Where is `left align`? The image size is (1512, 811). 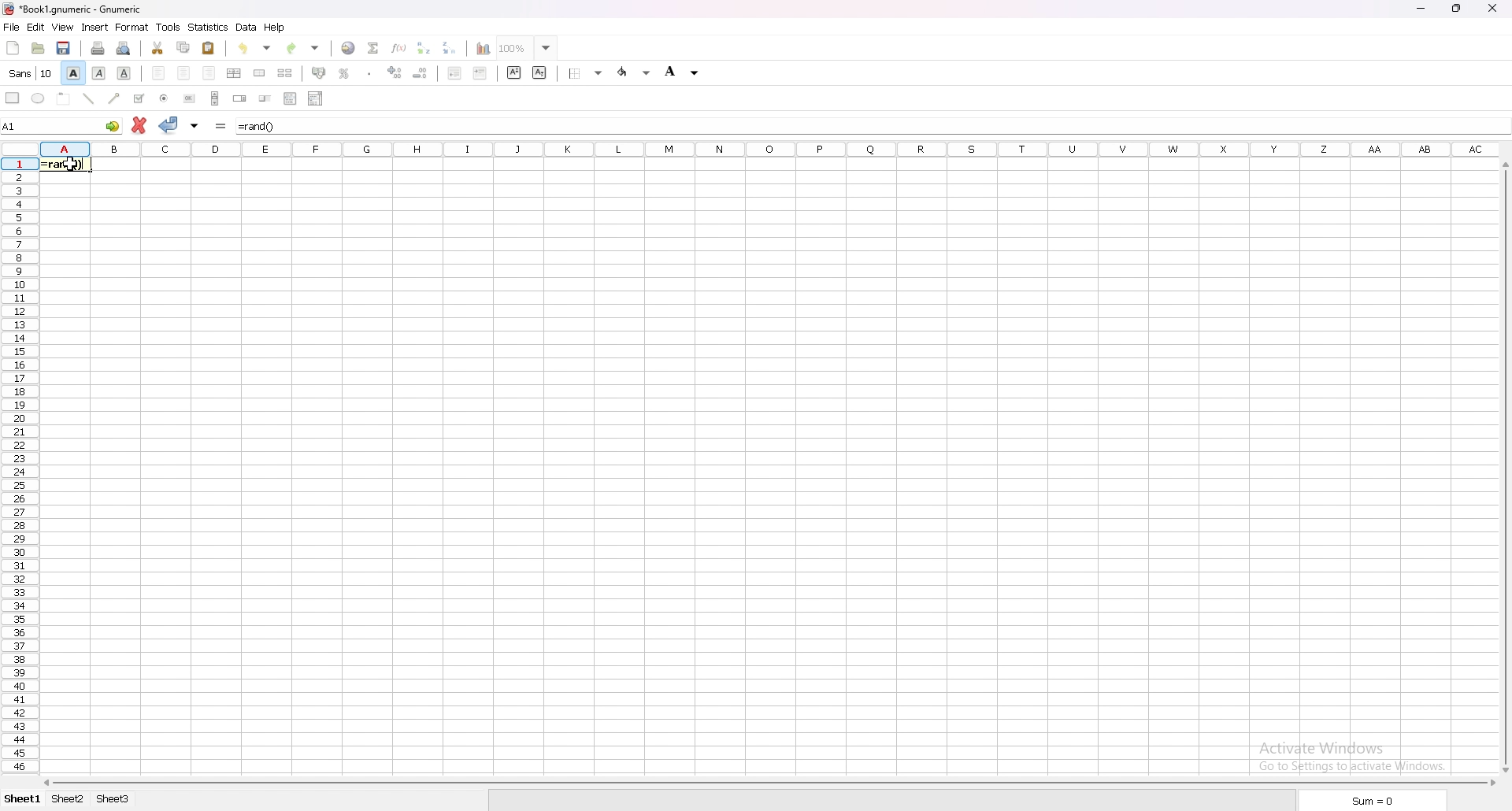 left align is located at coordinates (158, 73).